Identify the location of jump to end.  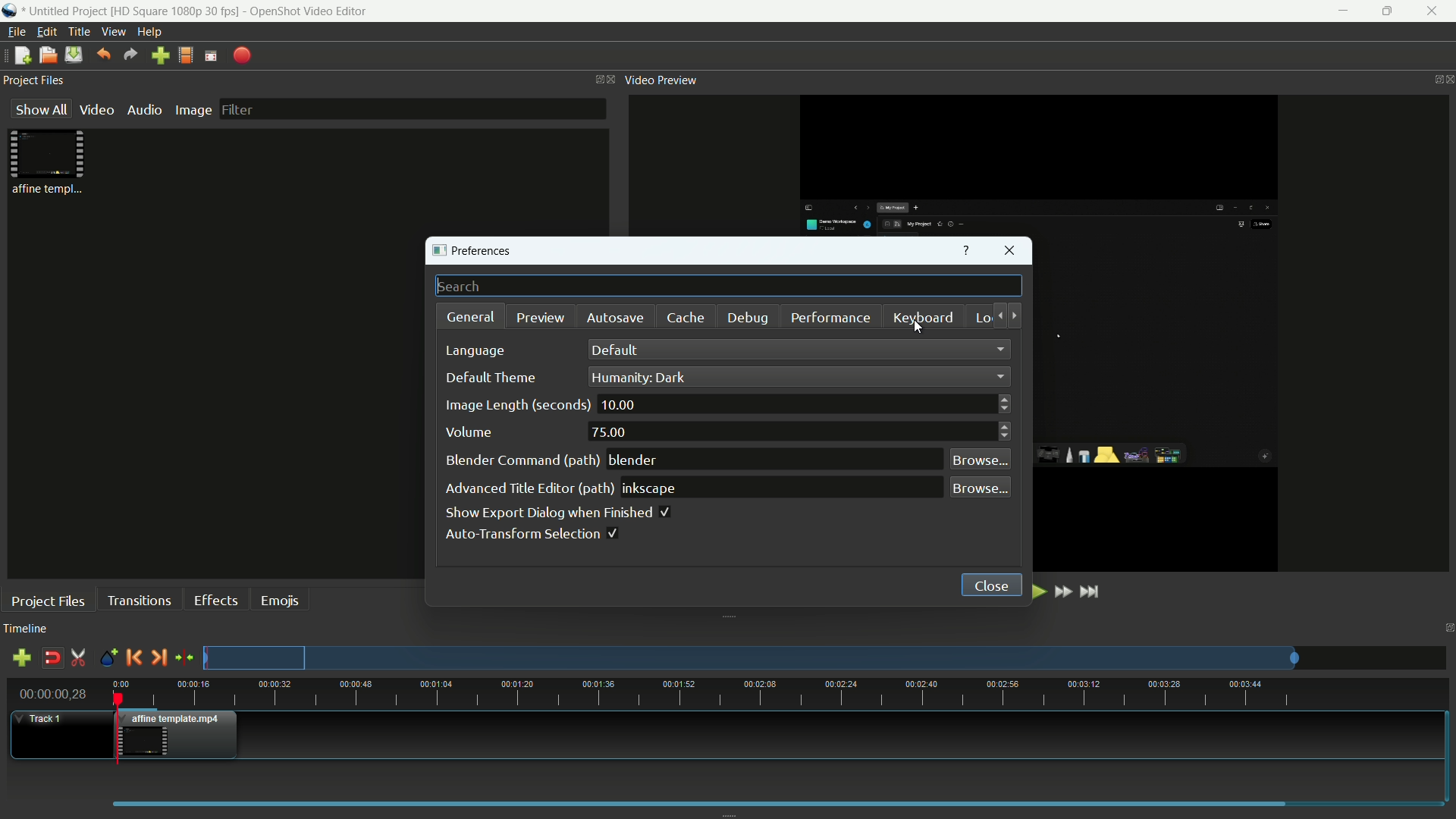
(1093, 591).